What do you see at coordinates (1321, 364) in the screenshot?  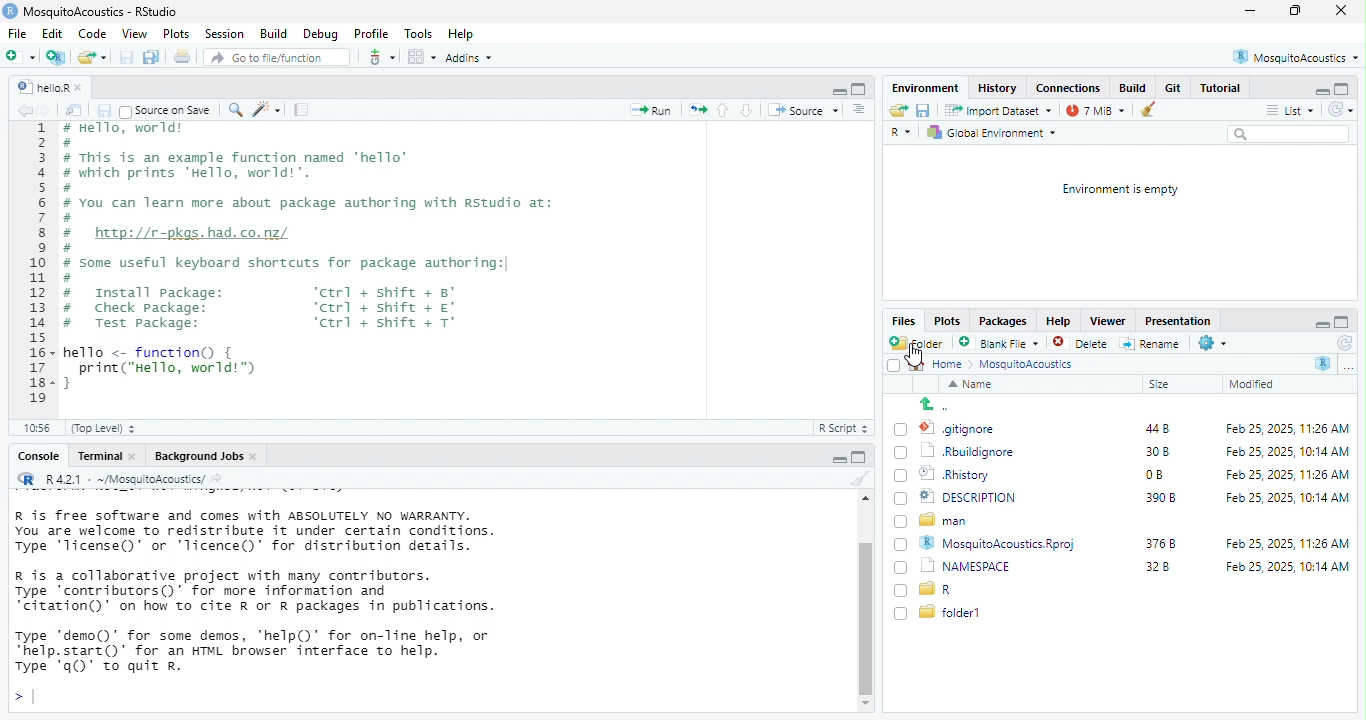 I see `r studio logo` at bounding box center [1321, 364].